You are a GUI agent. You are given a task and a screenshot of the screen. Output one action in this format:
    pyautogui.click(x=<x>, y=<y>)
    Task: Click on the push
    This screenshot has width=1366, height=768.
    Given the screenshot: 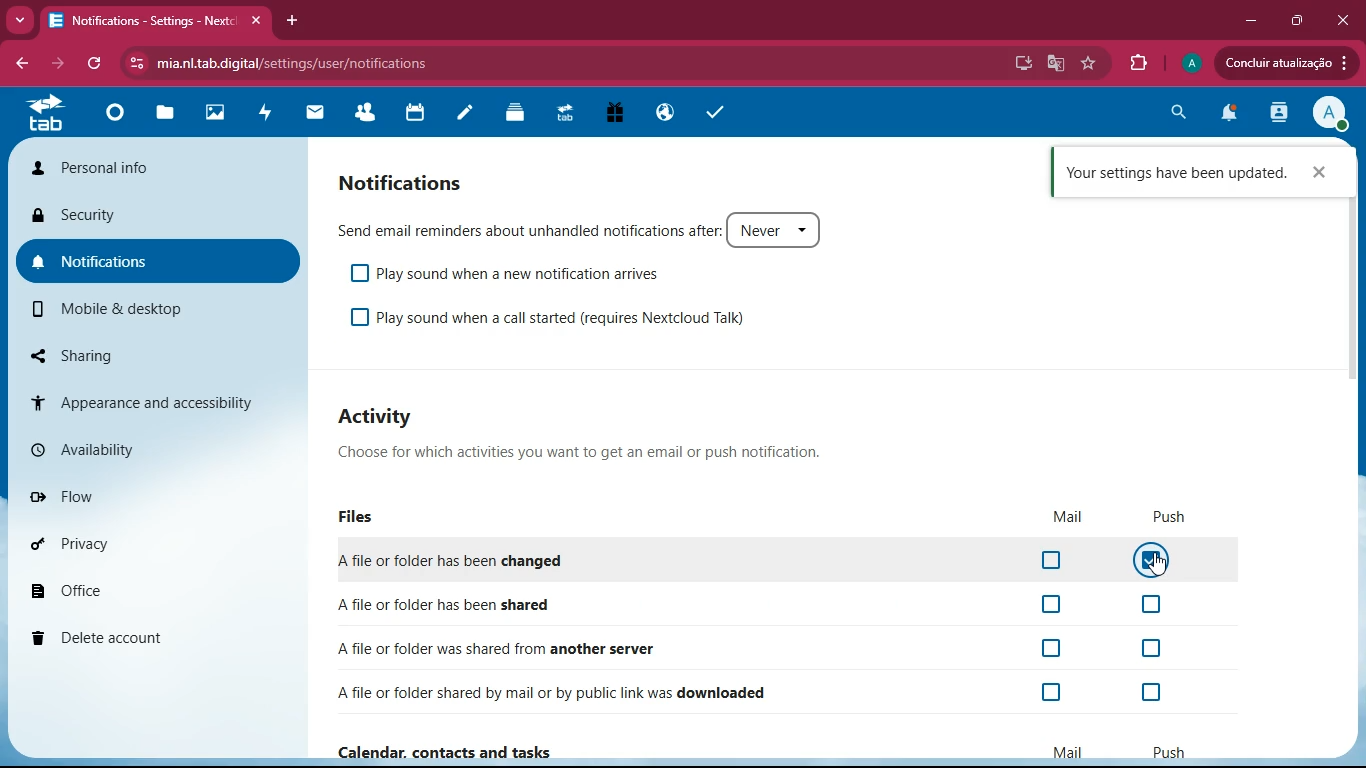 What is the action you would take?
    pyautogui.click(x=1172, y=751)
    